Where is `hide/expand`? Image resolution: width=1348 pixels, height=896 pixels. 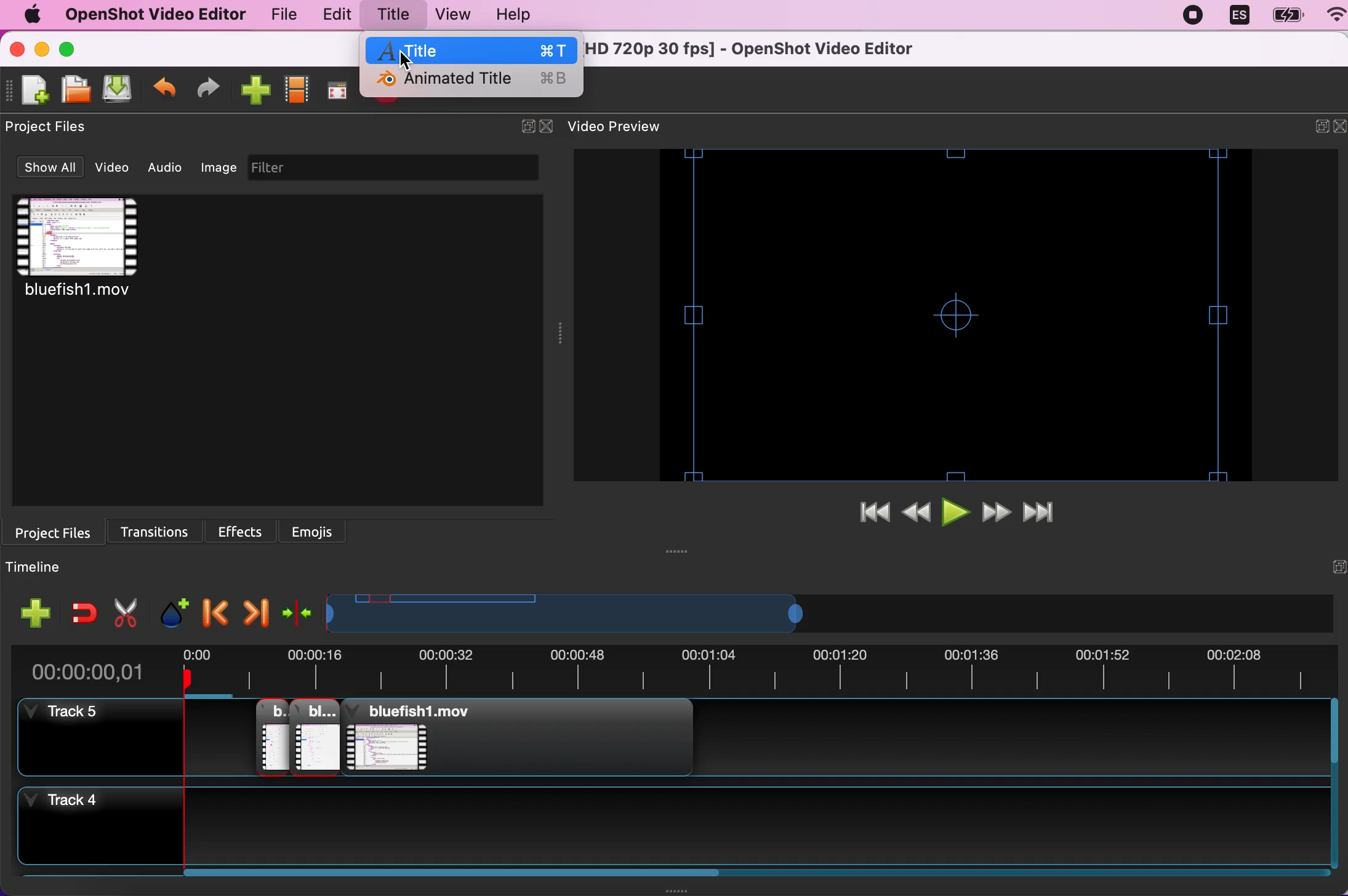 hide/expand is located at coordinates (1332, 567).